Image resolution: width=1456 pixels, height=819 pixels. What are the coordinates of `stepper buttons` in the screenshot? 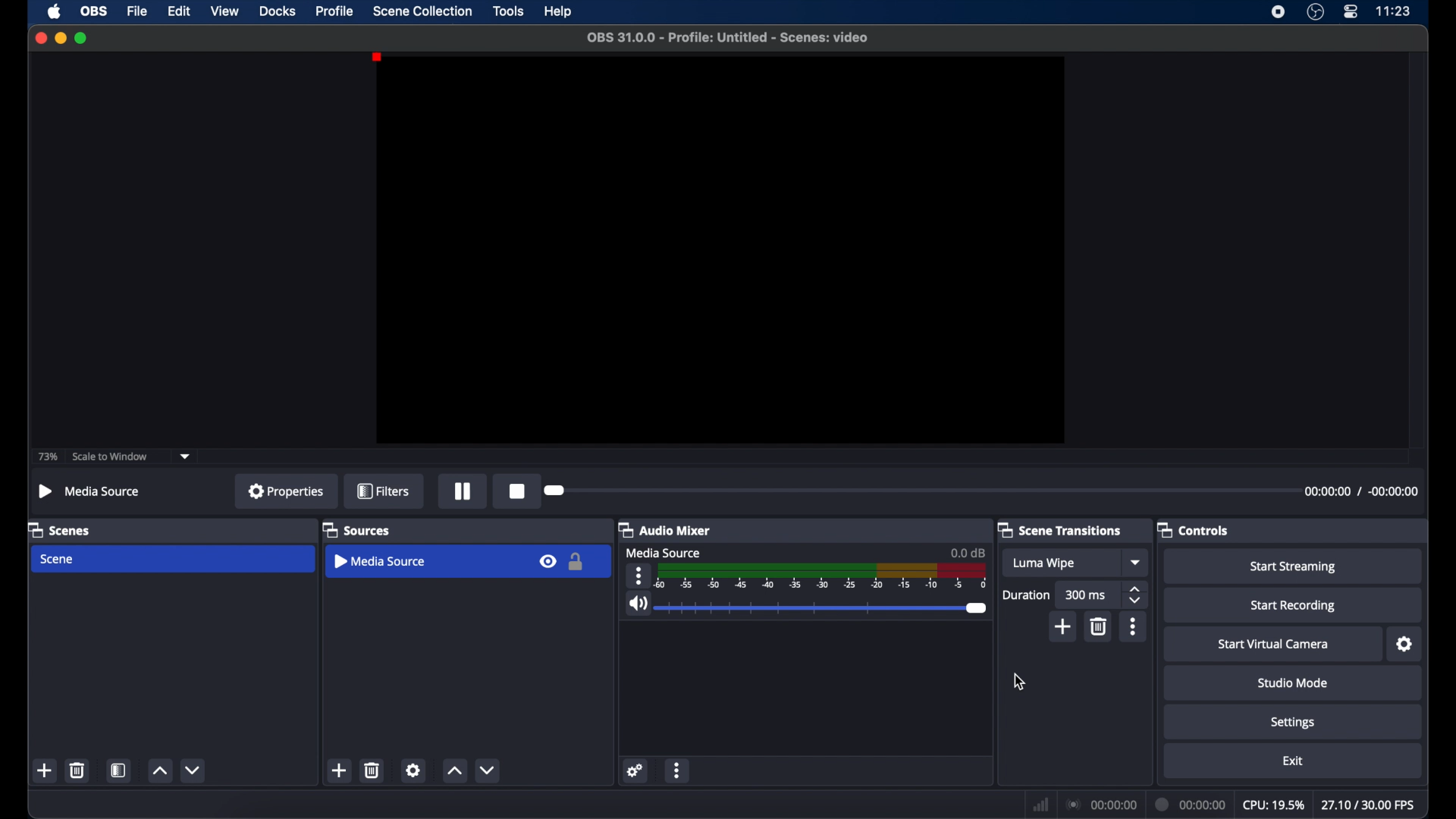 It's located at (1134, 595).